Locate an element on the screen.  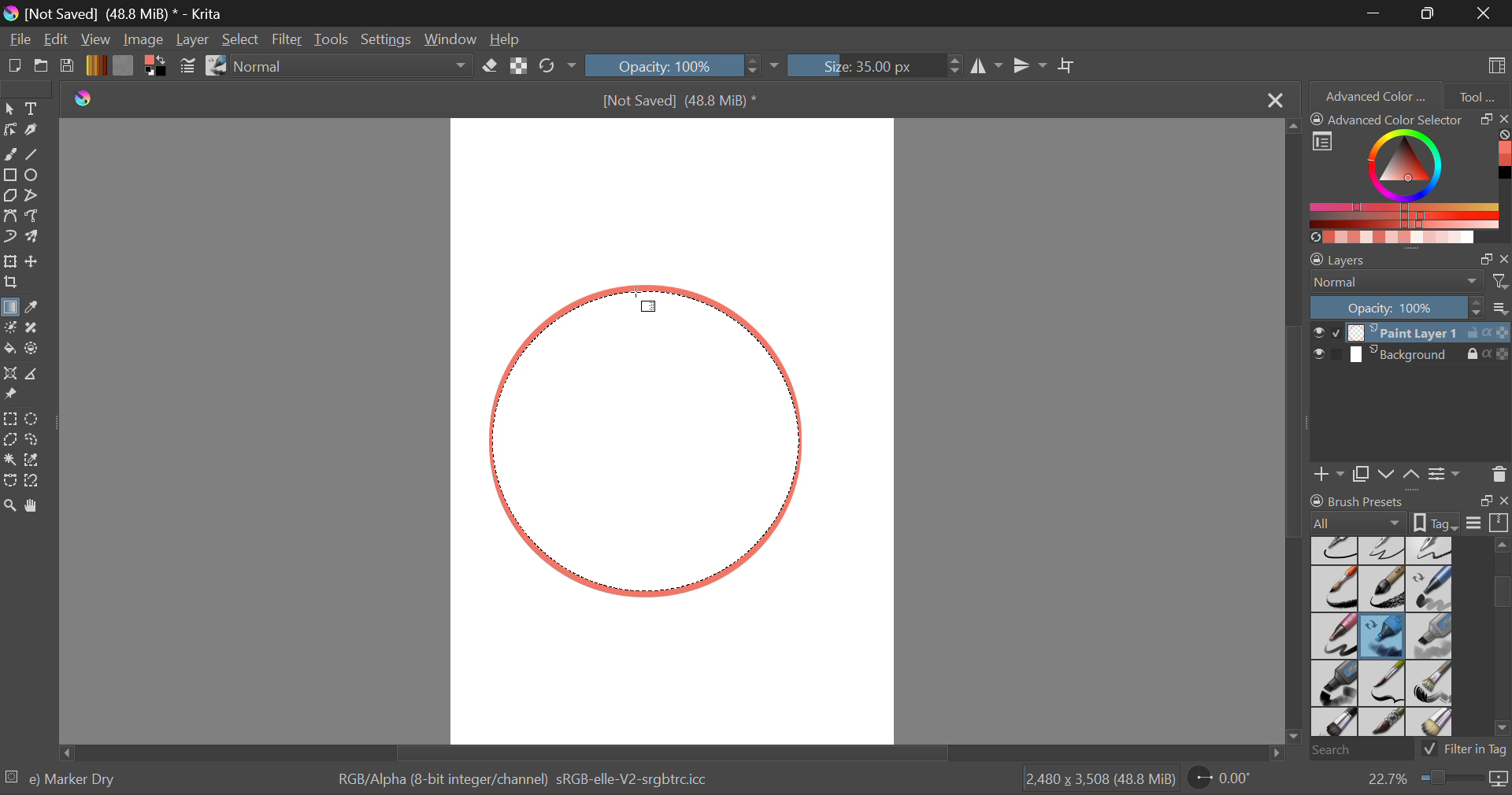
Paint Layer 1 is located at coordinates (1411, 331).